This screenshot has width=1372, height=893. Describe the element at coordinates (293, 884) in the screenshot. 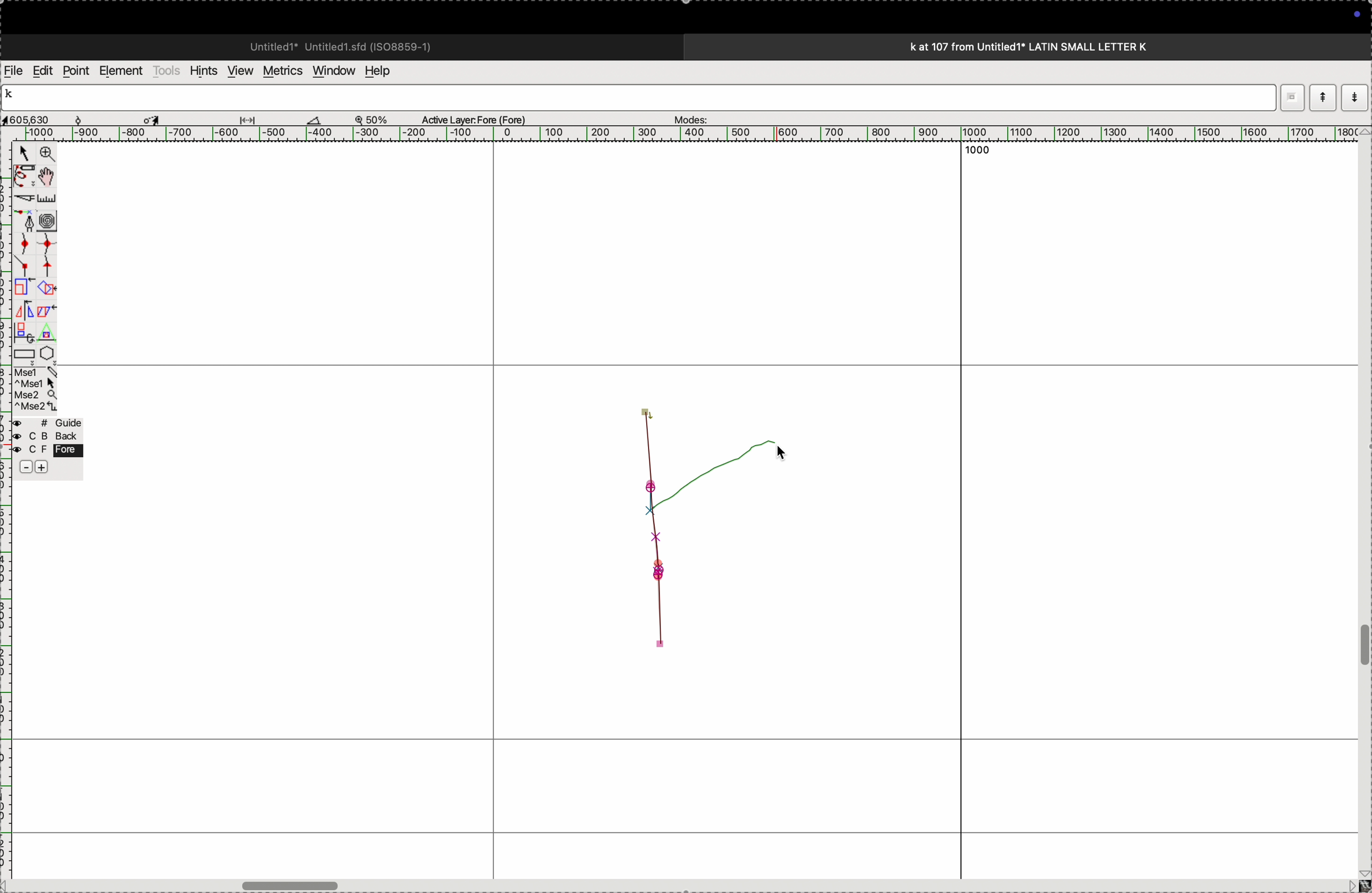

I see `toggle screen` at that location.